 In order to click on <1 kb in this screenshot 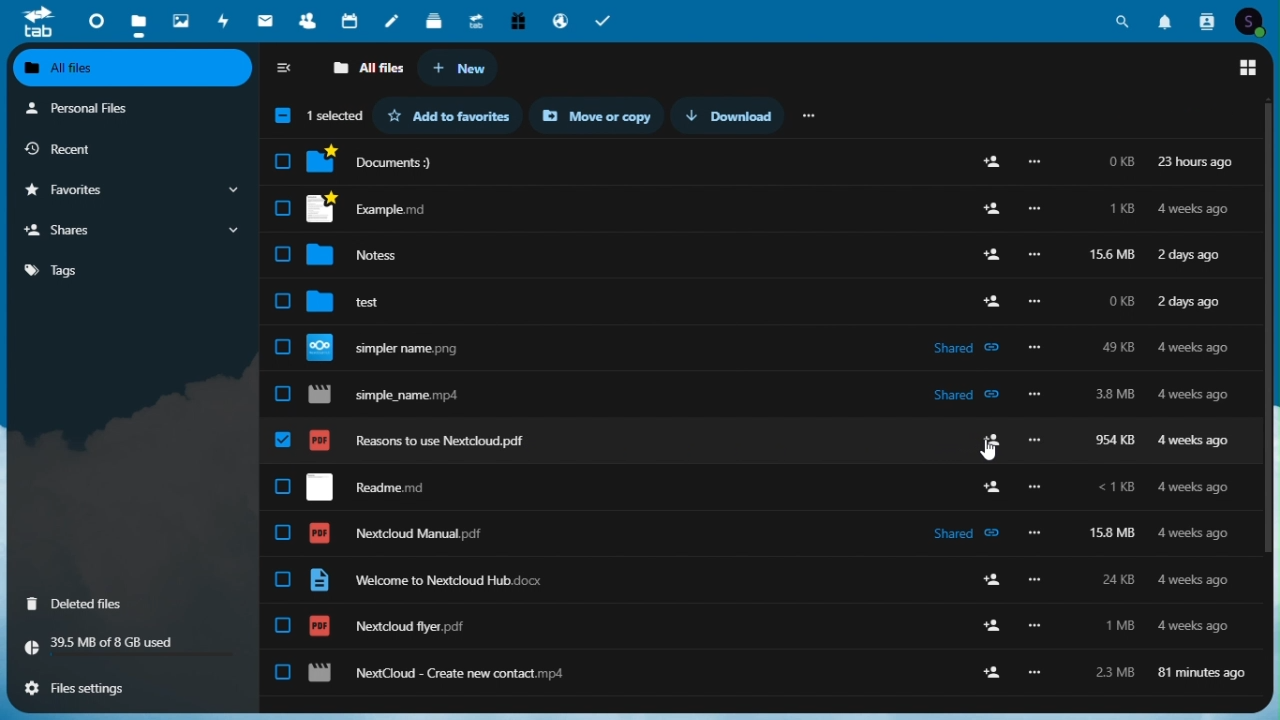, I will do `click(1116, 489)`.